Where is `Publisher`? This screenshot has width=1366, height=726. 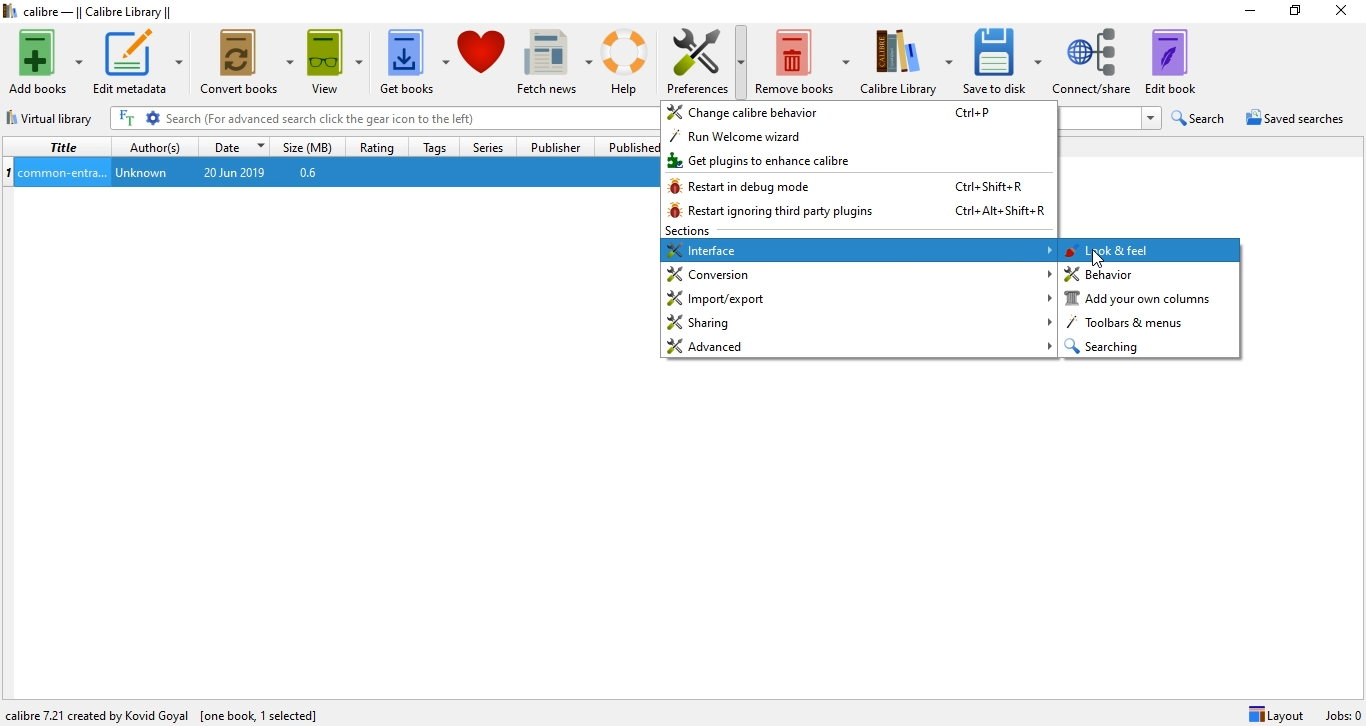
Publisher is located at coordinates (558, 147).